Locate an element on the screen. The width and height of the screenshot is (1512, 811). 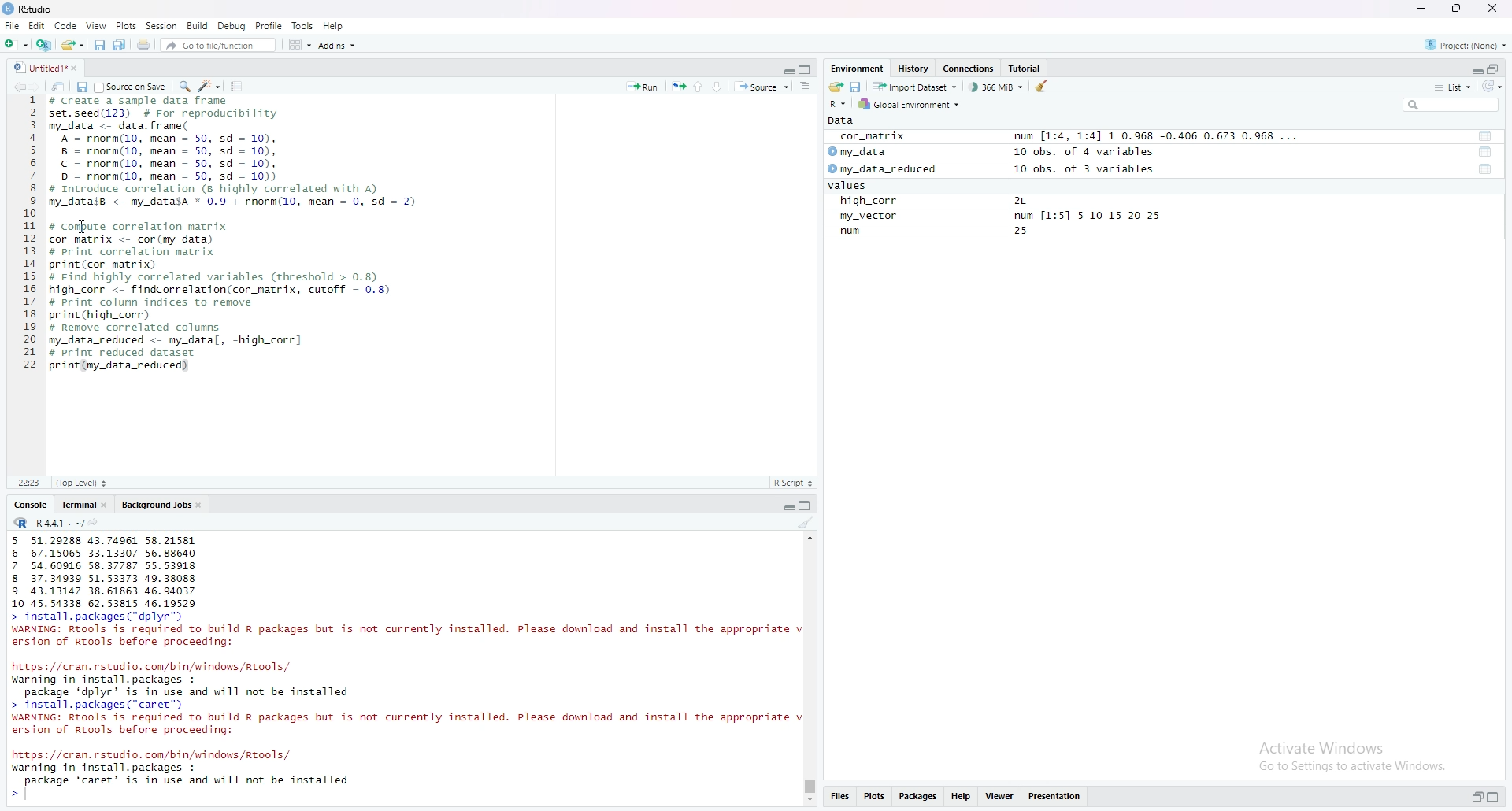
share is located at coordinates (60, 87).